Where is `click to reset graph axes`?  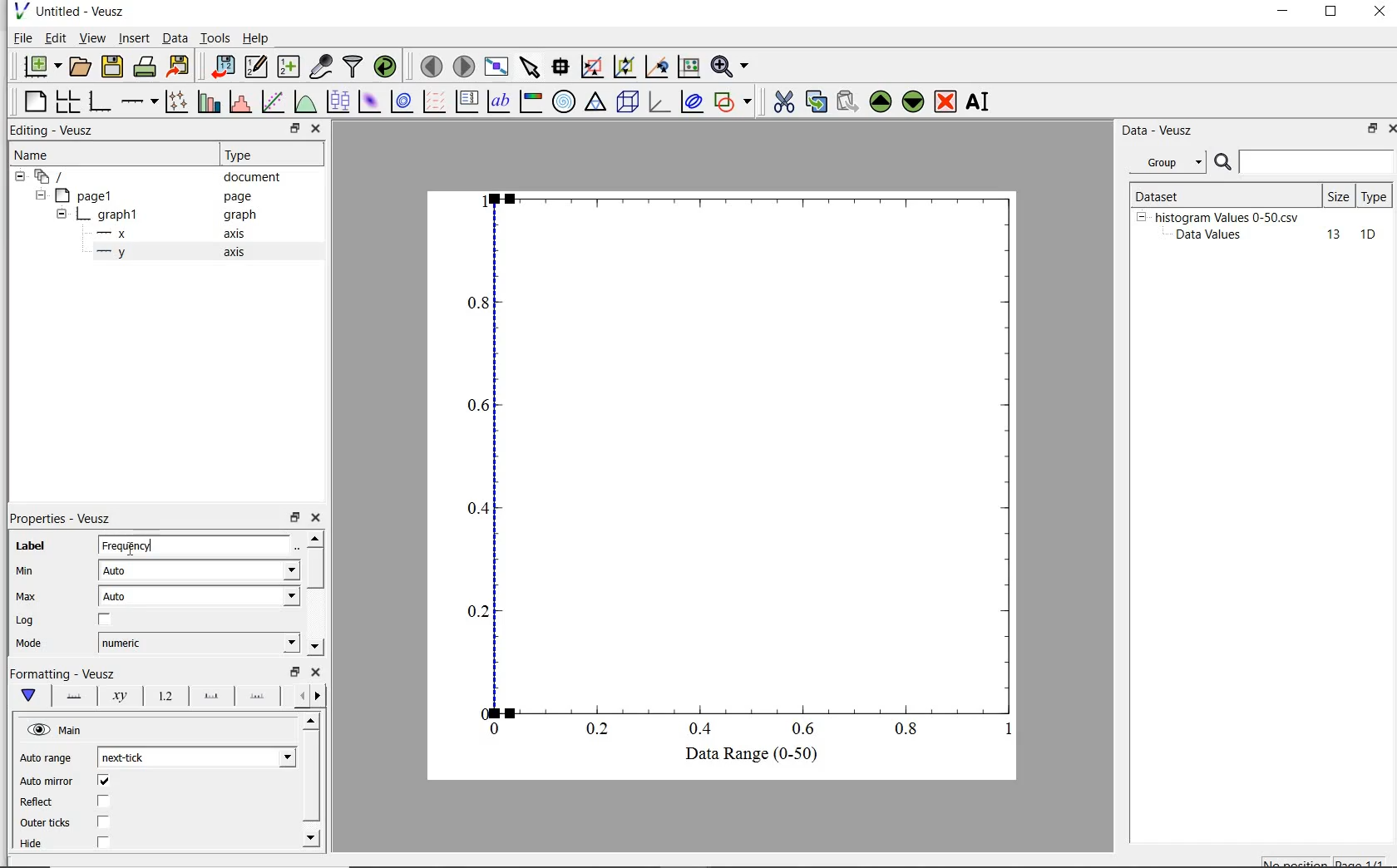
click to reset graph axes is located at coordinates (591, 67).